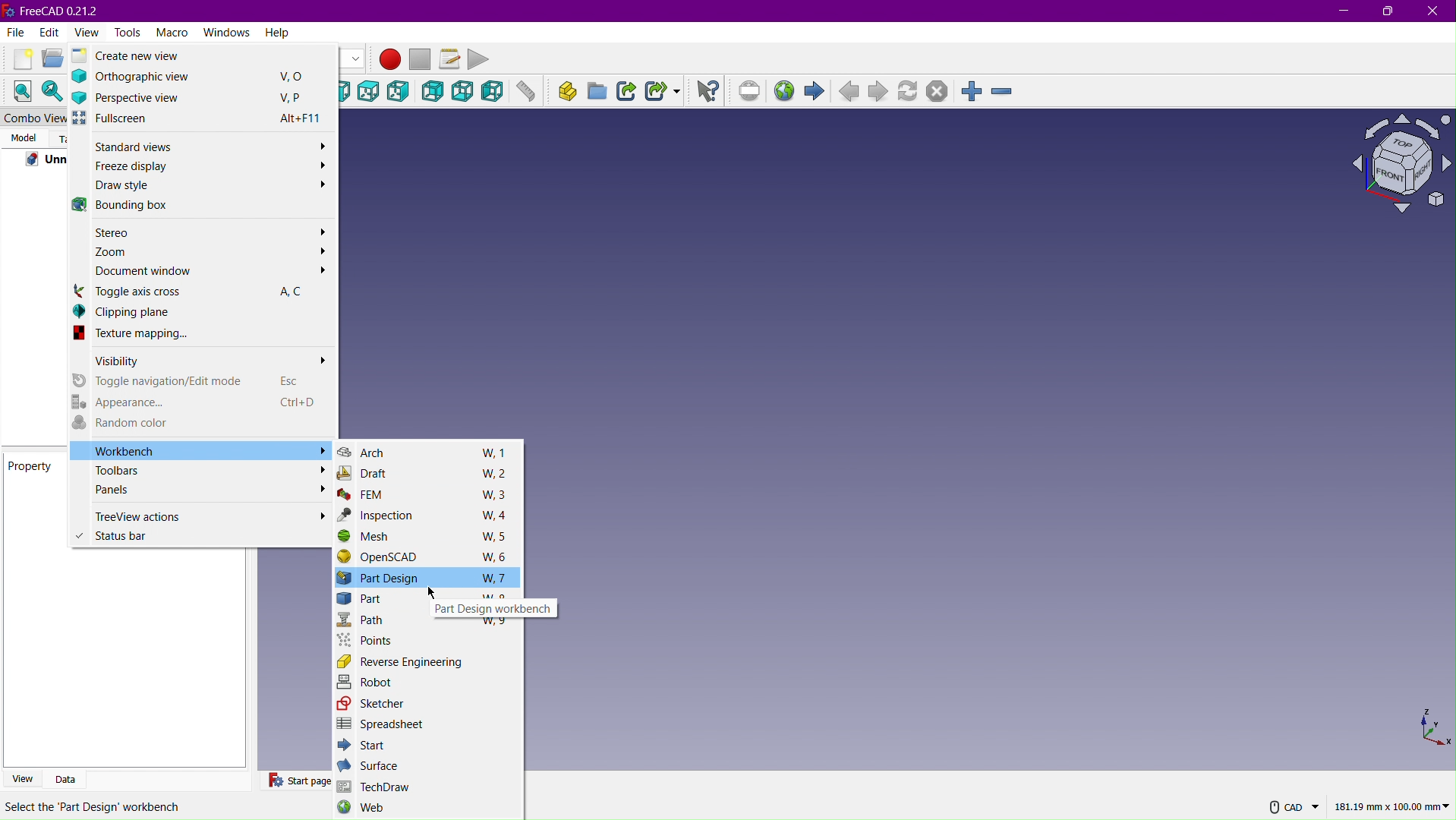 This screenshot has width=1456, height=820. I want to click on Part Design workbench, so click(497, 609).